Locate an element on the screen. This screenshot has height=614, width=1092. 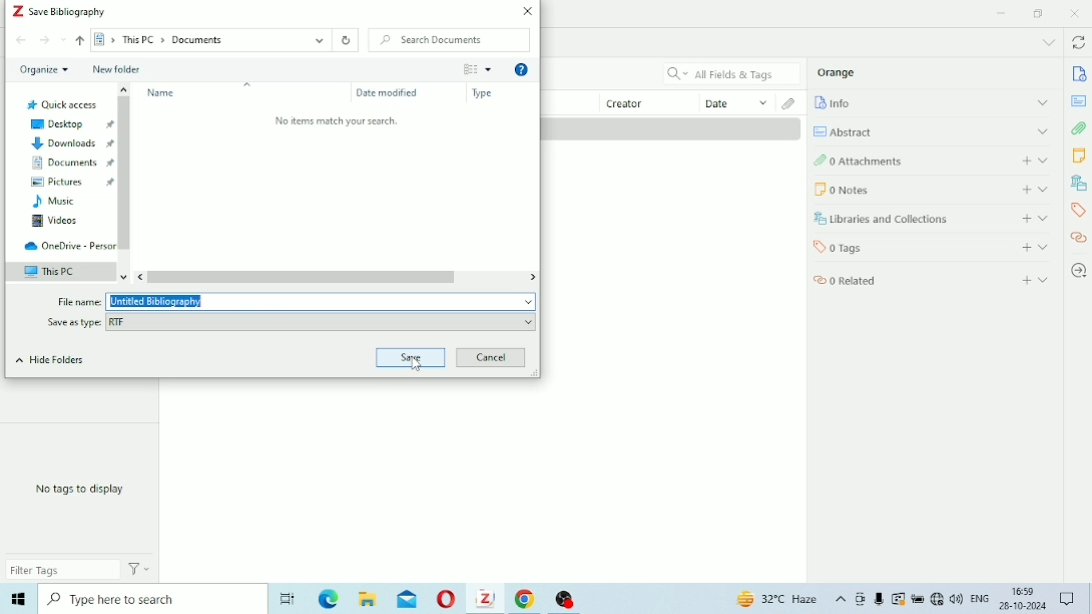
Info is located at coordinates (1080, 74).